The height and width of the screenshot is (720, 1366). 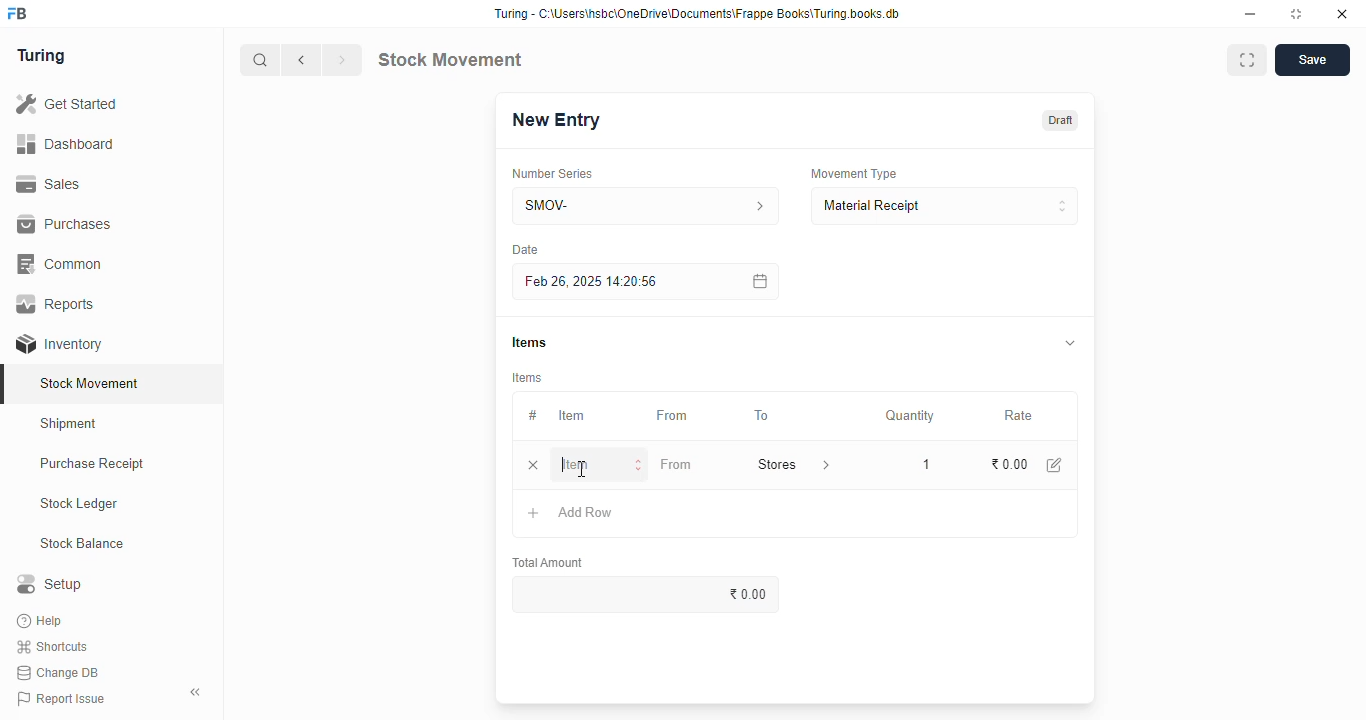 I want to click on common, so click(x=62, y=264).